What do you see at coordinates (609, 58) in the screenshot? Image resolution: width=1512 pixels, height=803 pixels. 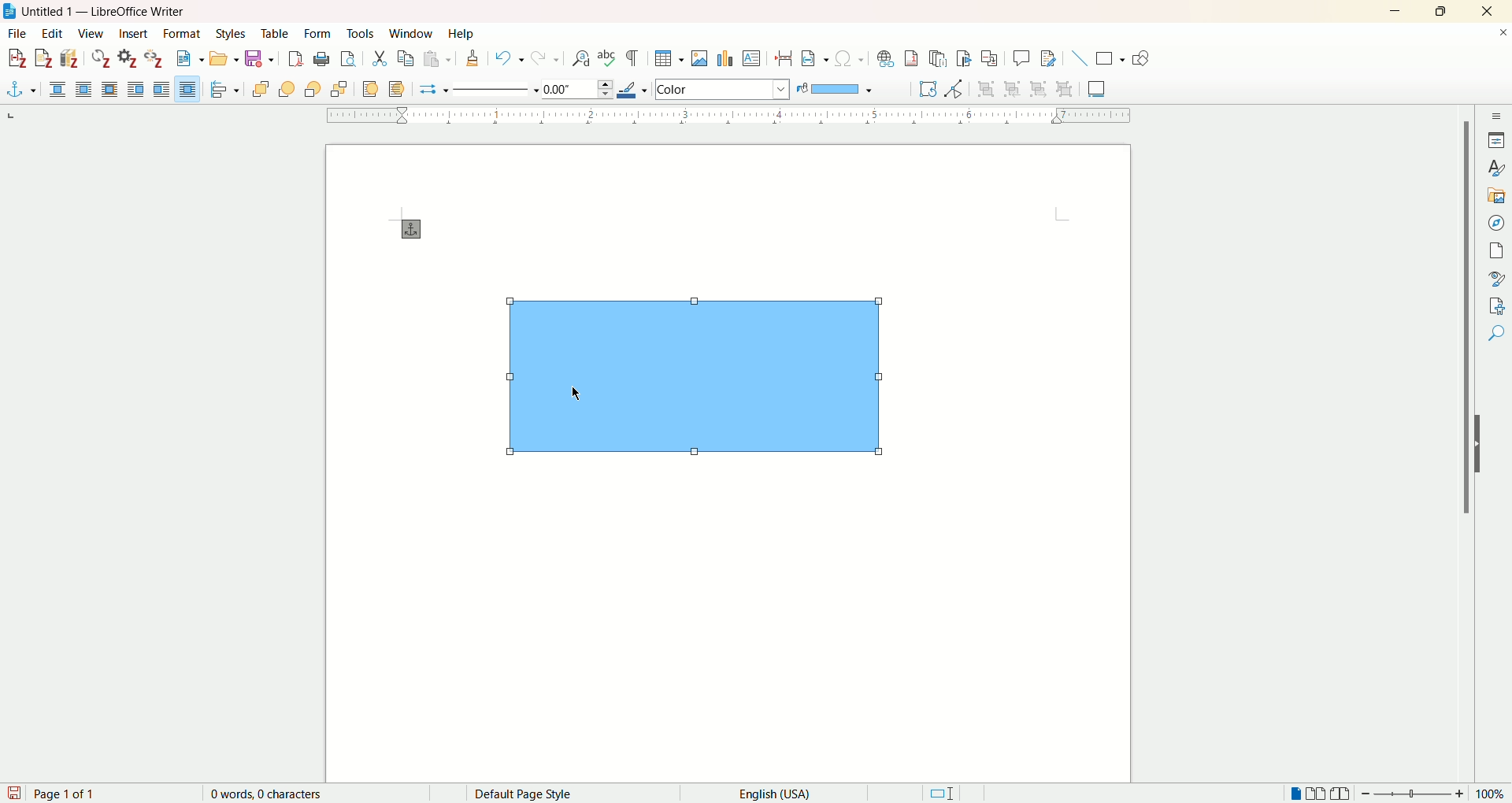 I see `check spelling` at bounding box center [609, 58].